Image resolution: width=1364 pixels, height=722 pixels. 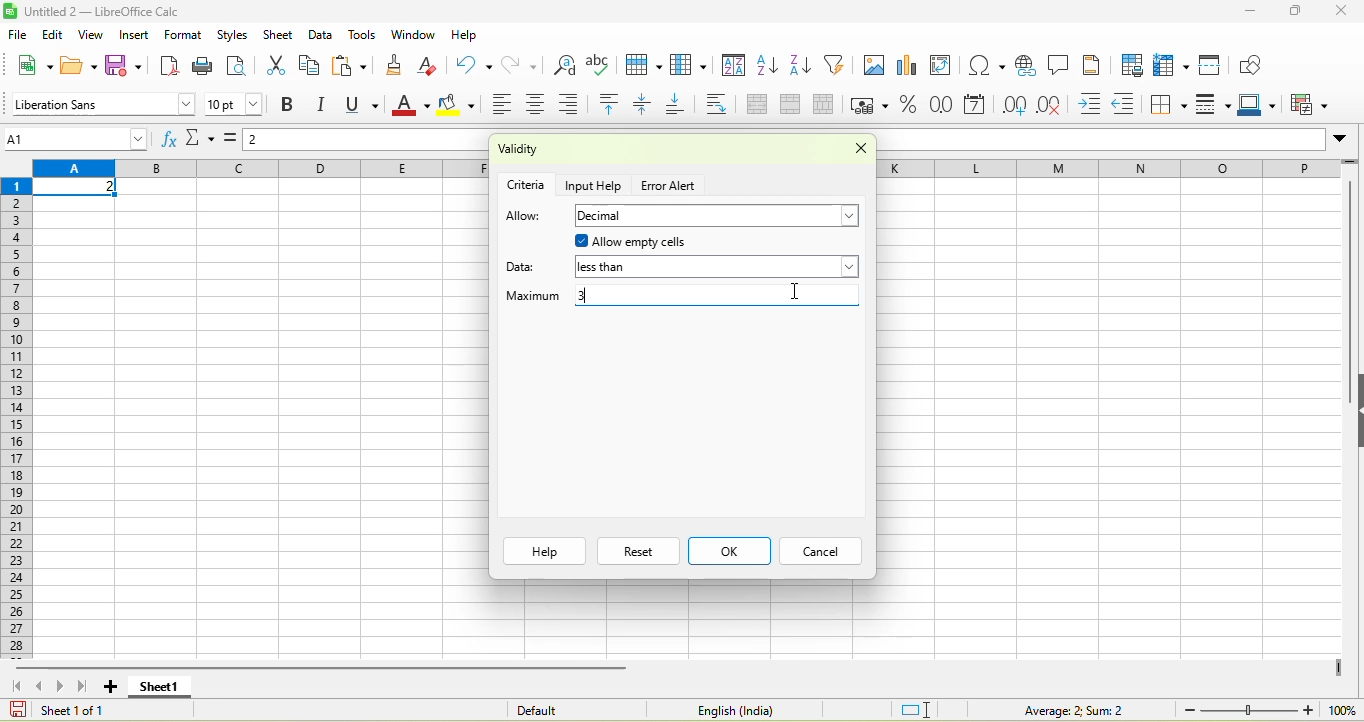 I want to click on format as date, so click(x=976, y=106).